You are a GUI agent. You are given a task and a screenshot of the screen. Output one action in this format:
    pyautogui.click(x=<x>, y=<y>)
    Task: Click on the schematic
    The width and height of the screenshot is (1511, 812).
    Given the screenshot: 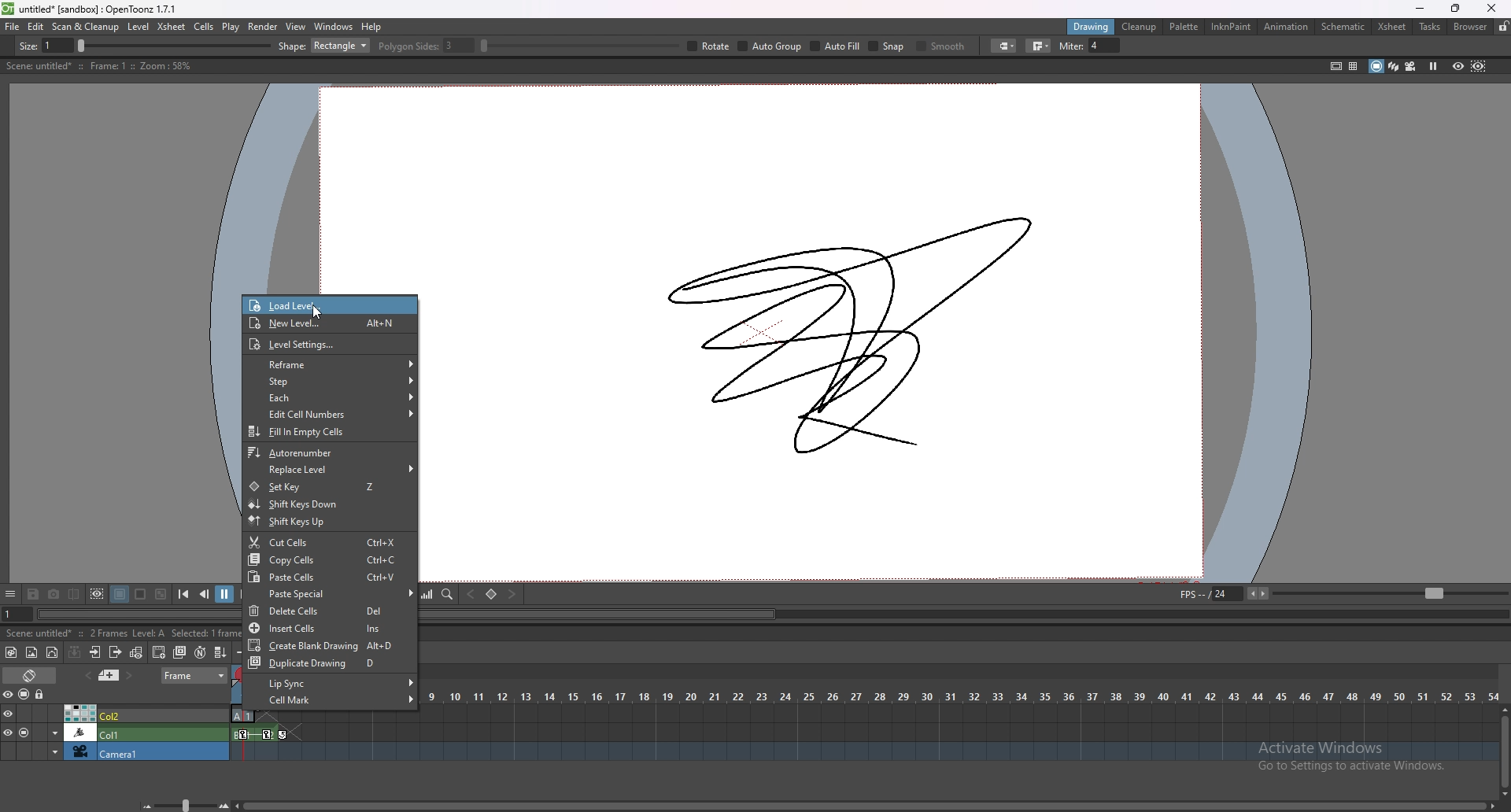 What is the action you would take?
    pyautogui.click(x=1343, y=25)
    